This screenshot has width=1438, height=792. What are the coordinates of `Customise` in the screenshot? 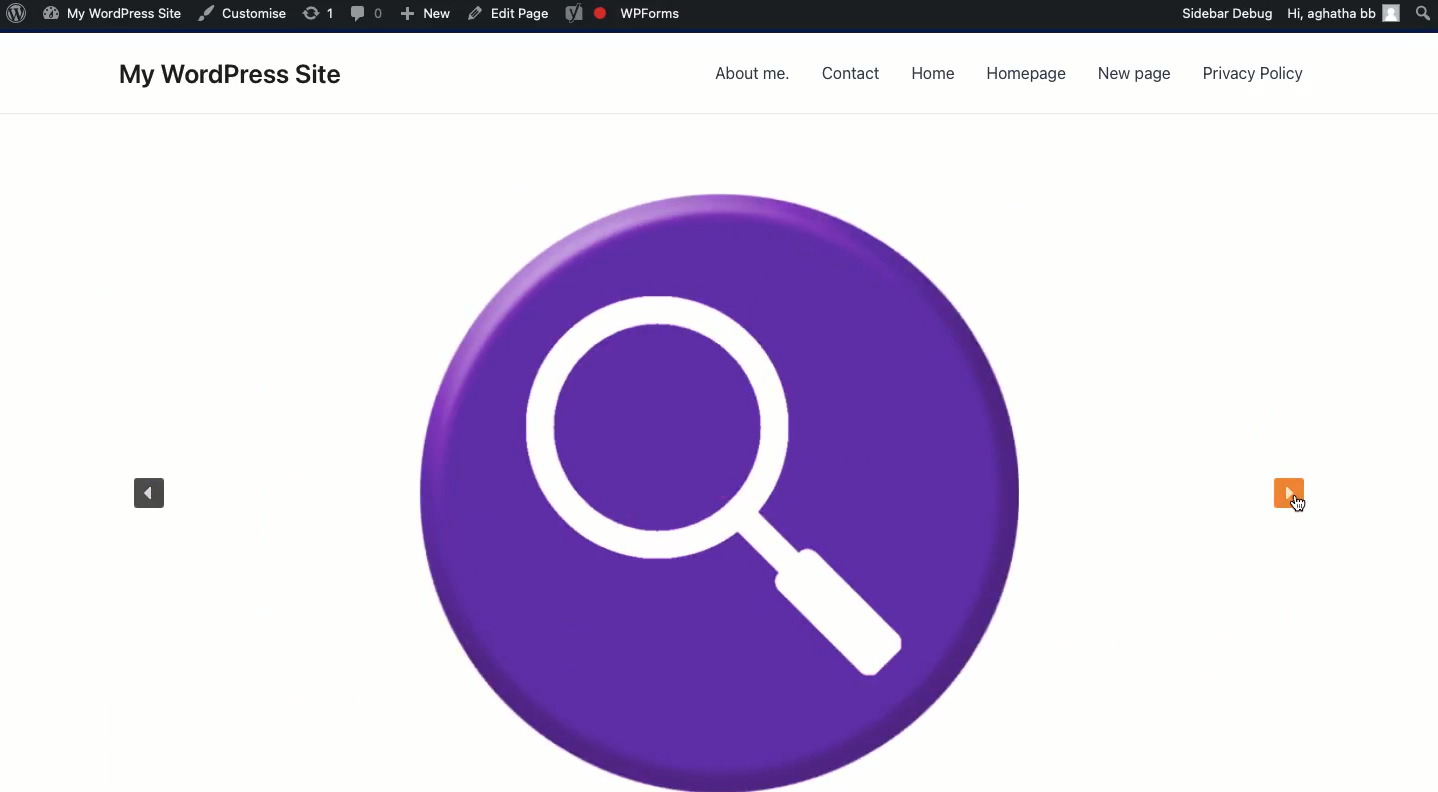 It's located at (245, 13).